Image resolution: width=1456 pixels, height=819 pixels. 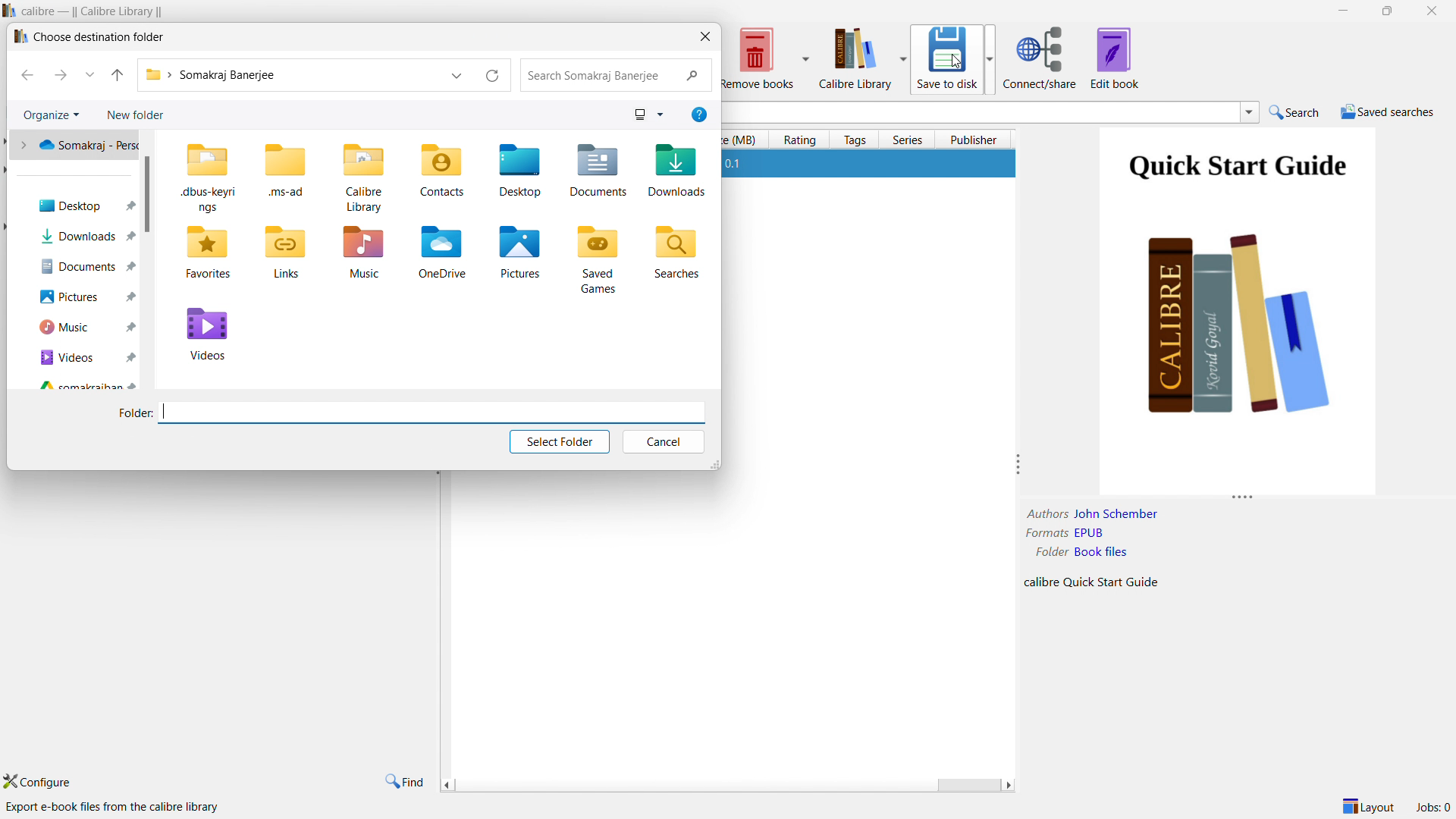 I want to click on search  Somakraj Banerjee, so click(x=614, y=75).